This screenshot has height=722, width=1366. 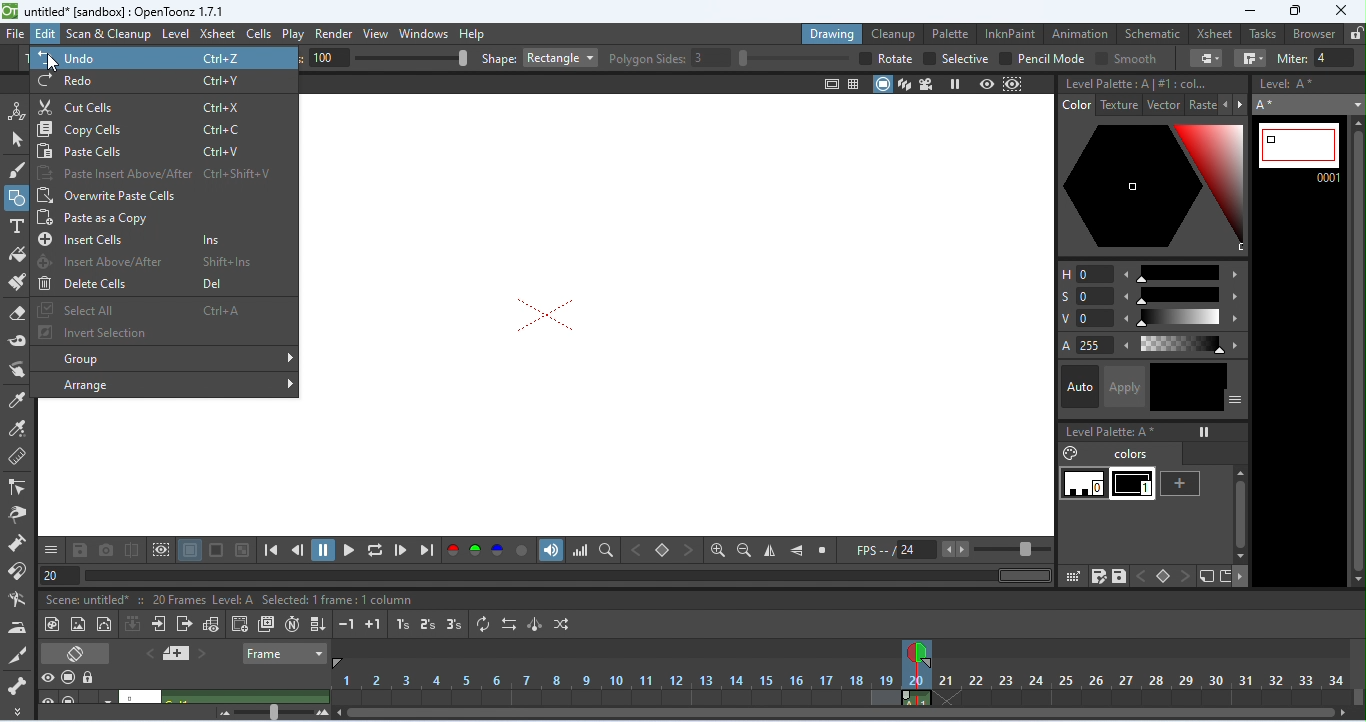 I want to click on create blank drawing, so click(x=238, y=624).